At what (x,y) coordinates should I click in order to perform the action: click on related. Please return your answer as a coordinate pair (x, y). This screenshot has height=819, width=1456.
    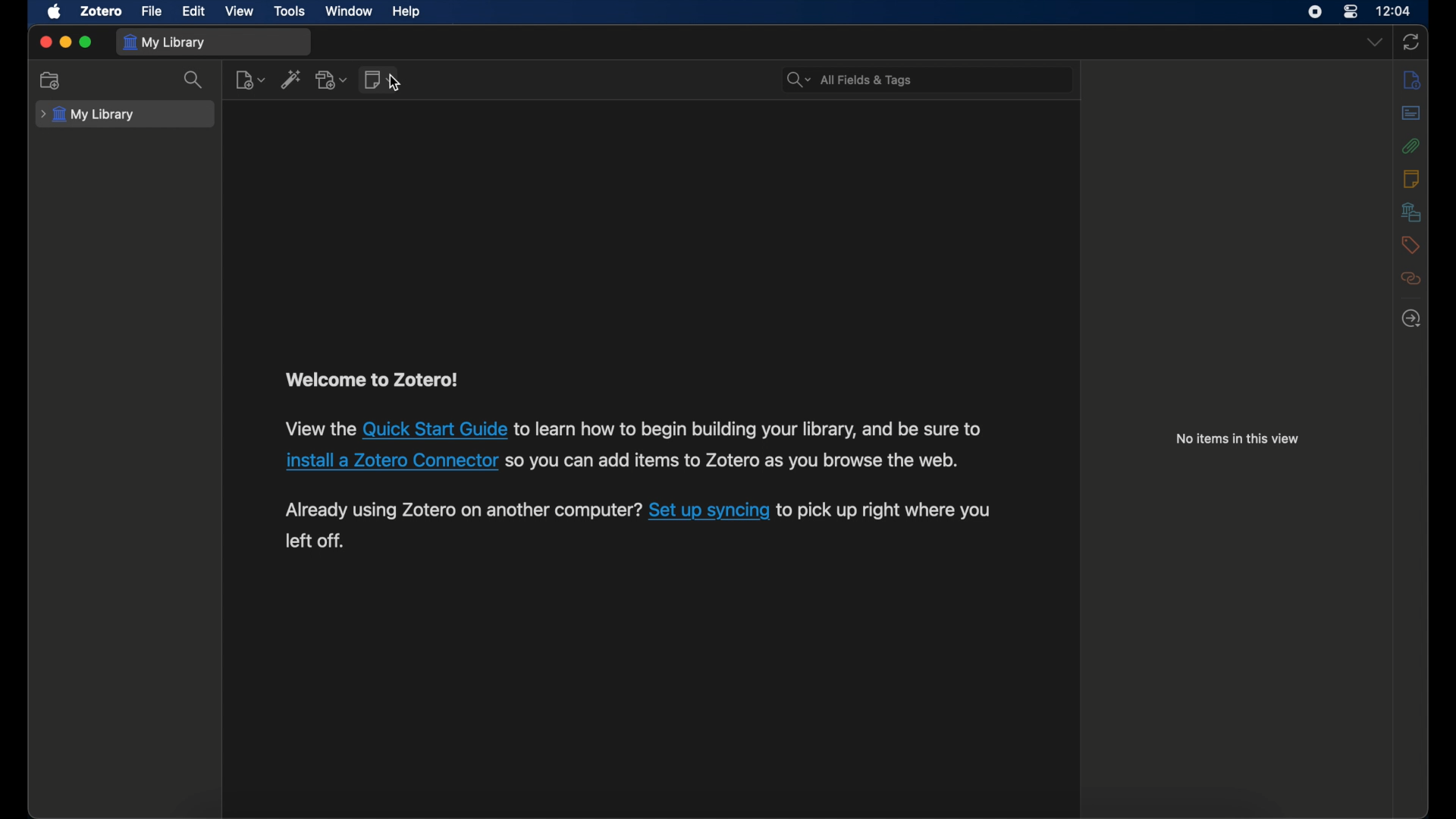
    Looking at the image, I should click on (1411, 278).